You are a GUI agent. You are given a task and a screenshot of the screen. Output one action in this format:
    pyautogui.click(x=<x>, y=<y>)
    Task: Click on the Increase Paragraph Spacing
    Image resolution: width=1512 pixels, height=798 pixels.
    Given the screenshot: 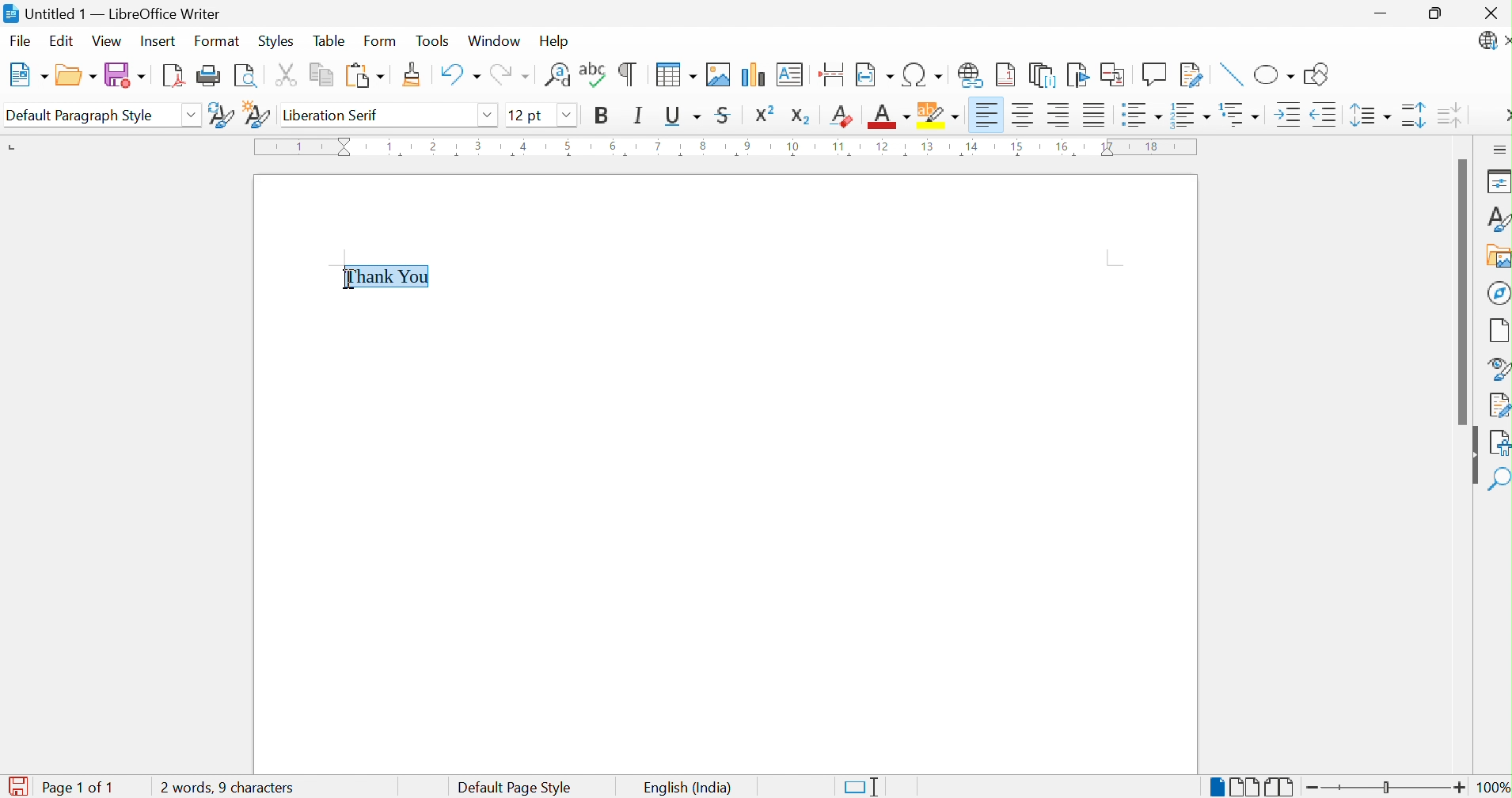 What is the action you would take?
    pyautogui.click(x=1413, y=118)
    